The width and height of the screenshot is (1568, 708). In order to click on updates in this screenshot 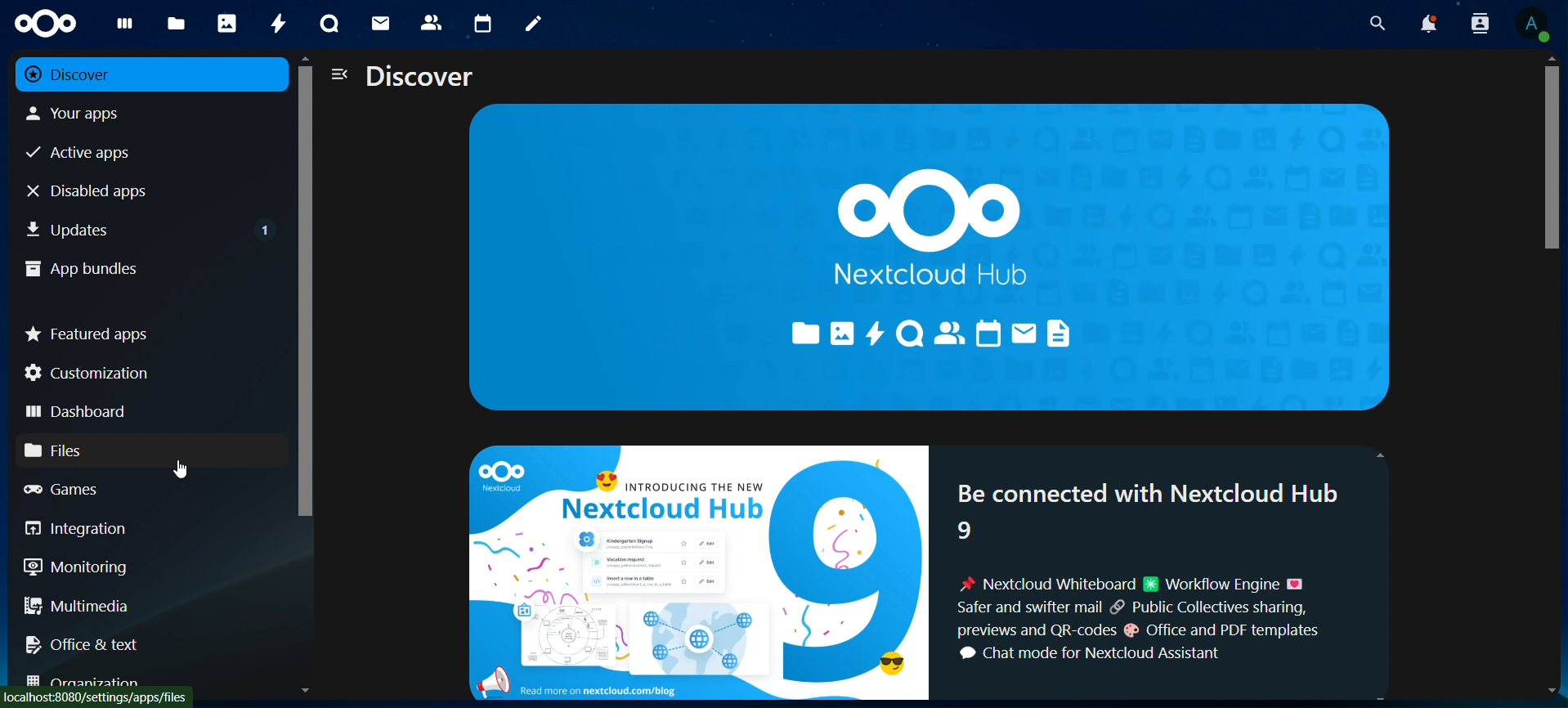, I will do `click(150, 226)`.